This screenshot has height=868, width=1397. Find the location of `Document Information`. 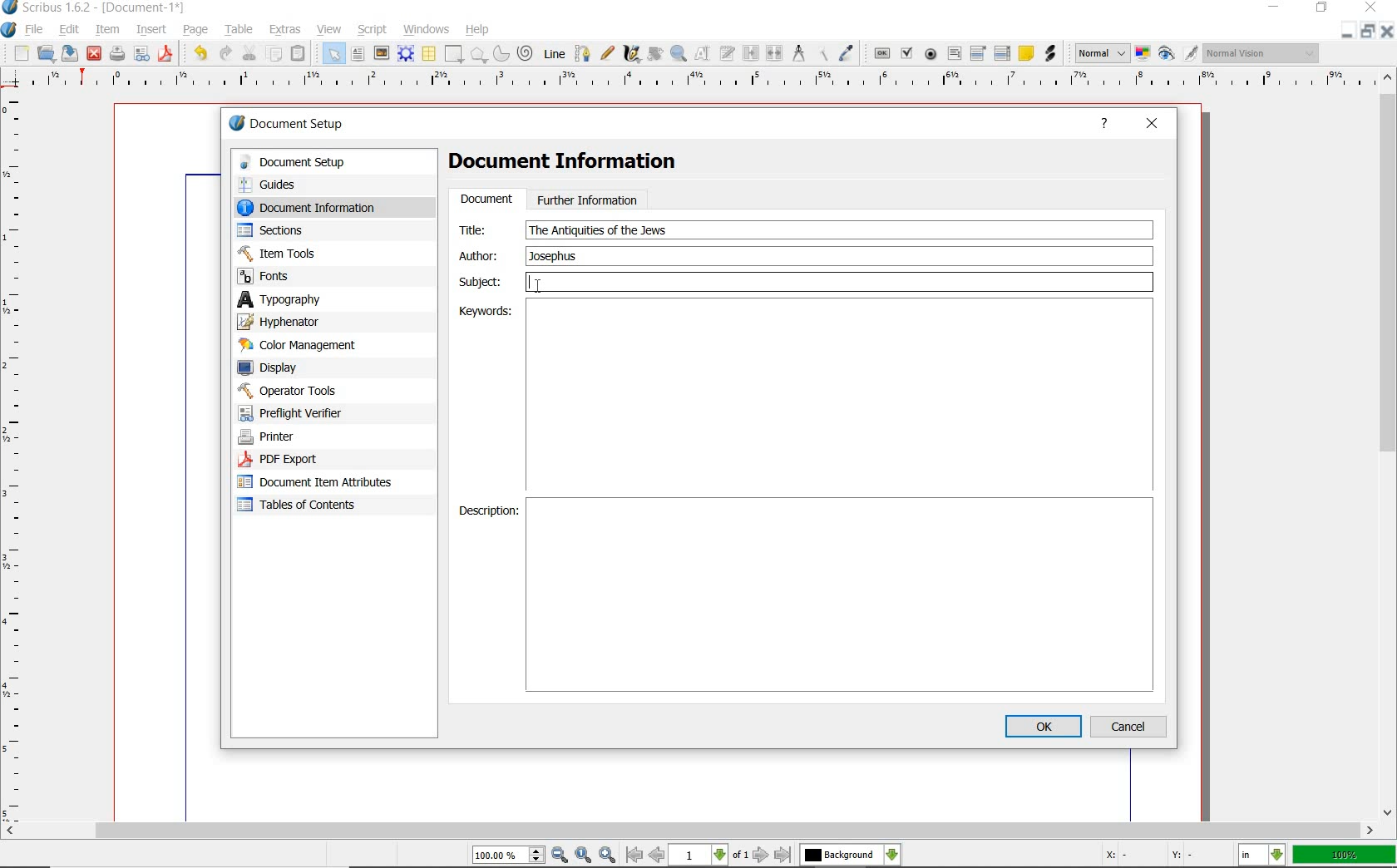

Document Information is located at coordinates (576, 164).